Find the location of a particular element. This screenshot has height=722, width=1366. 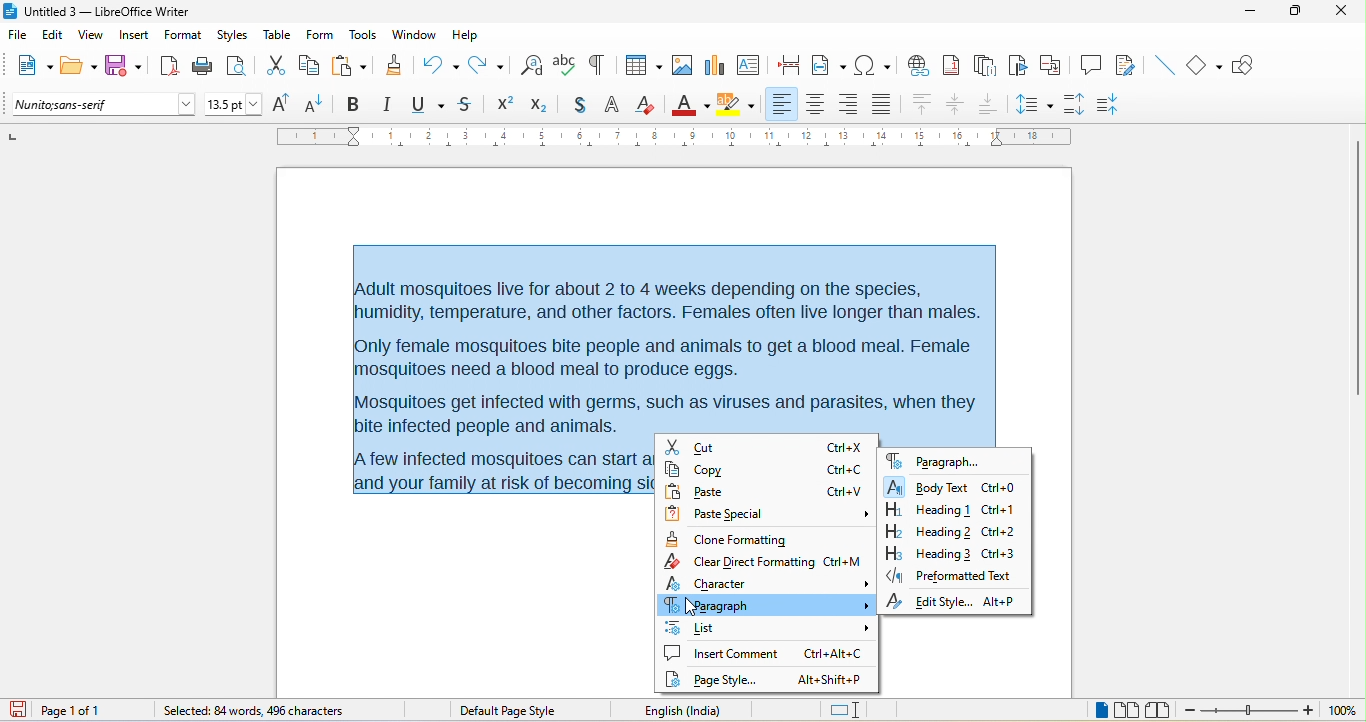

align center is located at coordinates (816, 105).